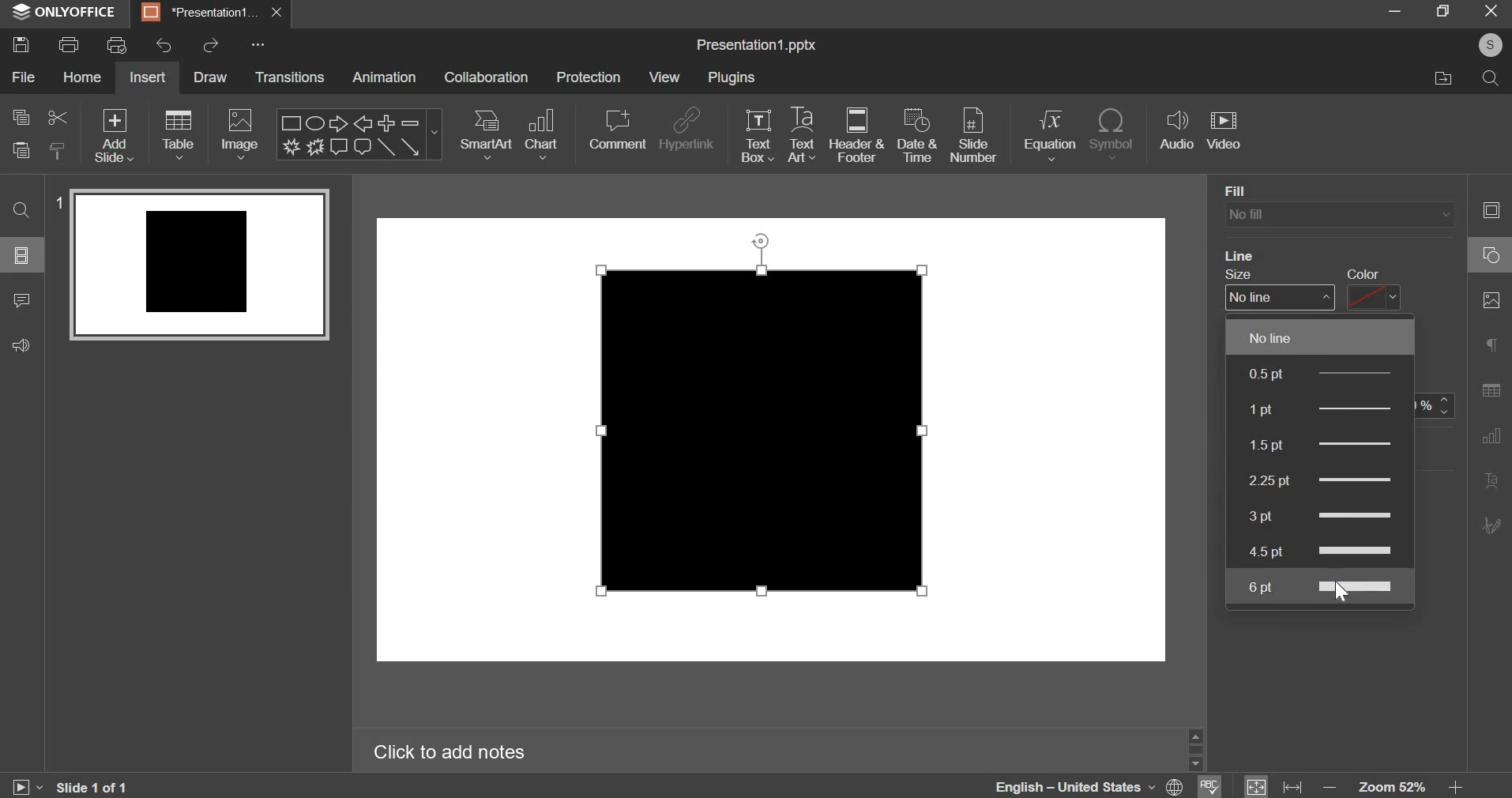 This screenshot has width=1512, height=798. What do you see at coordinates (973, 136) in the screenshot?
I see `slide number` at bounding box center [973, 136].